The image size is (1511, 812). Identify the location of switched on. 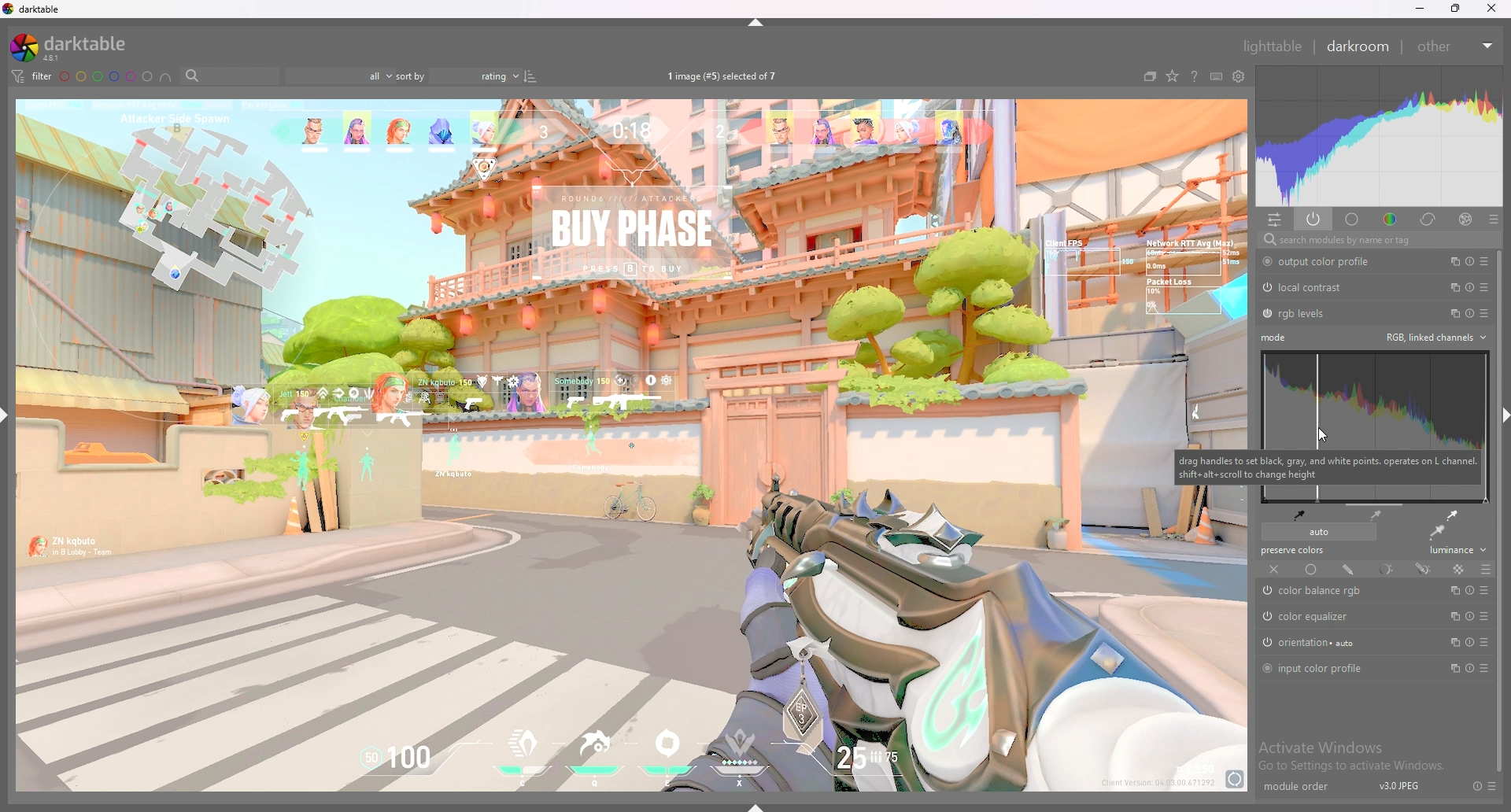
(1265, 669).